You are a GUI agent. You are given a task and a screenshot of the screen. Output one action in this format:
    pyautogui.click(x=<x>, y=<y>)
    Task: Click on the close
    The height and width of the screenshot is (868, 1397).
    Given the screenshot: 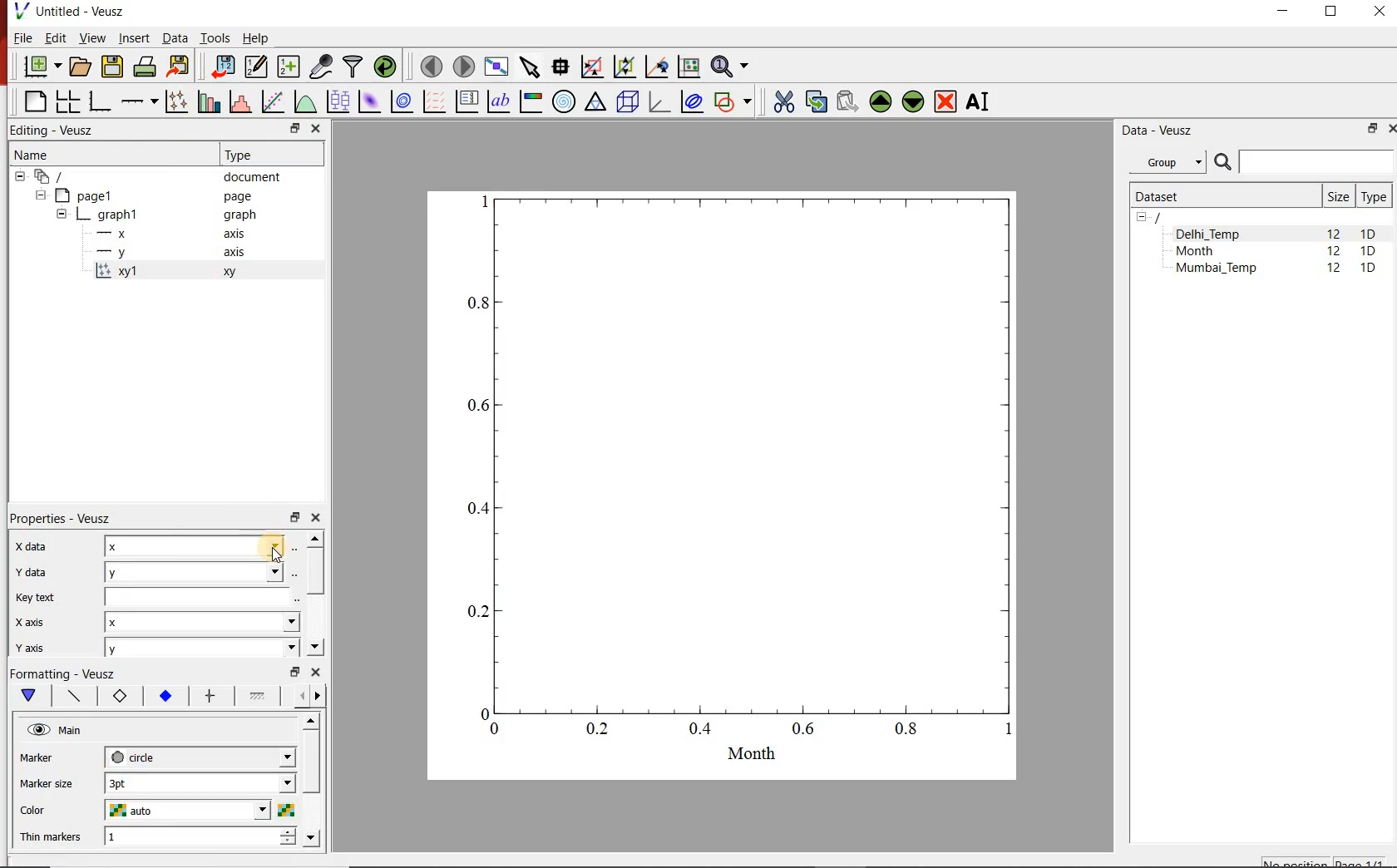 What is the action you would take?
    pyautogui.click(x=314, y=130)
    